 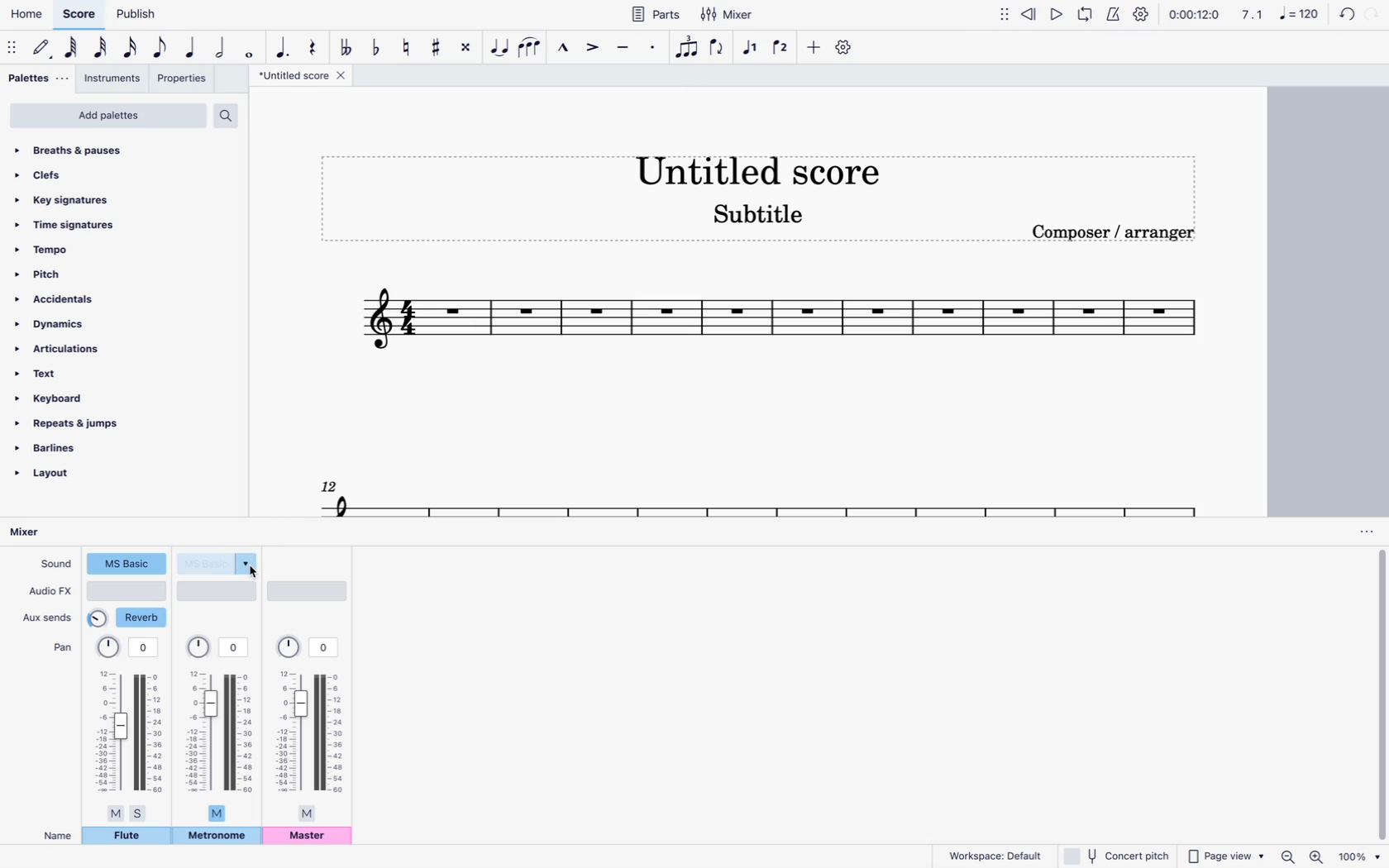 I want to click on properties, so click(x=185, y=81).